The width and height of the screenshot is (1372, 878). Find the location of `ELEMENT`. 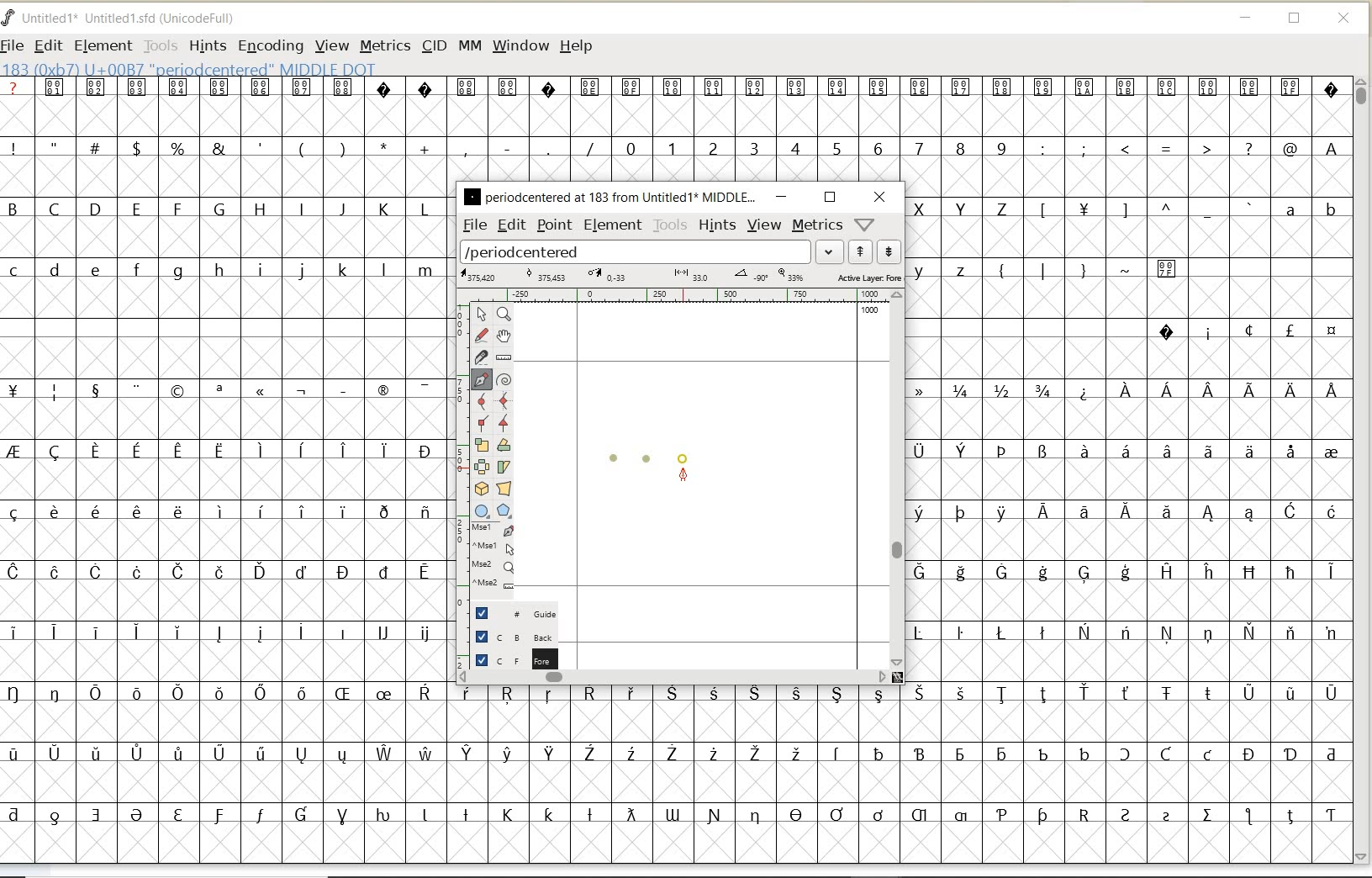

ELEMENT is located at coordinates (103, 45).